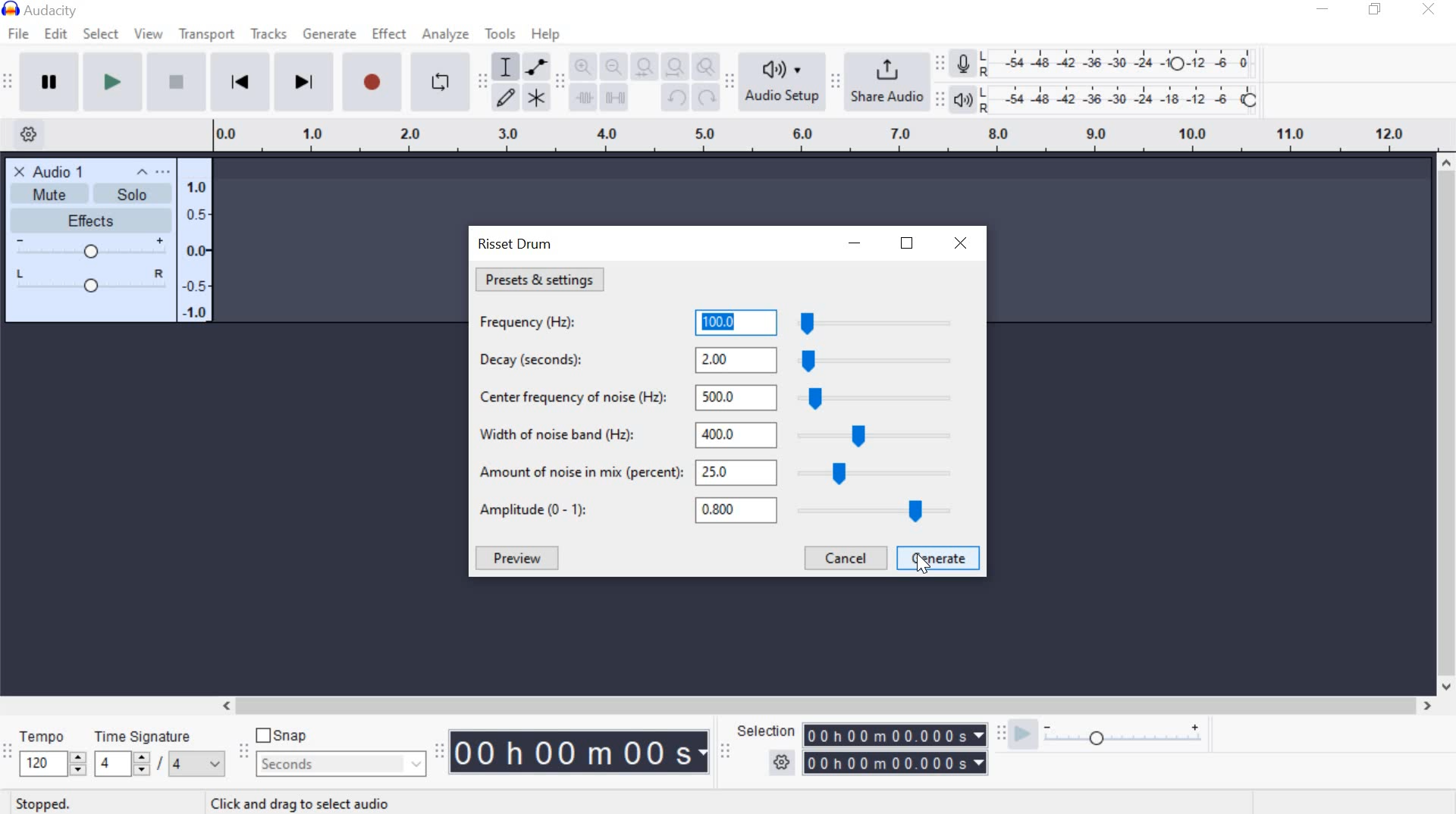 This screenshot has width=1456, height=814. What do you see at coordinates (964, 101) in the screenshot?
I see `Playback meter` at bounding box center [964, 101].